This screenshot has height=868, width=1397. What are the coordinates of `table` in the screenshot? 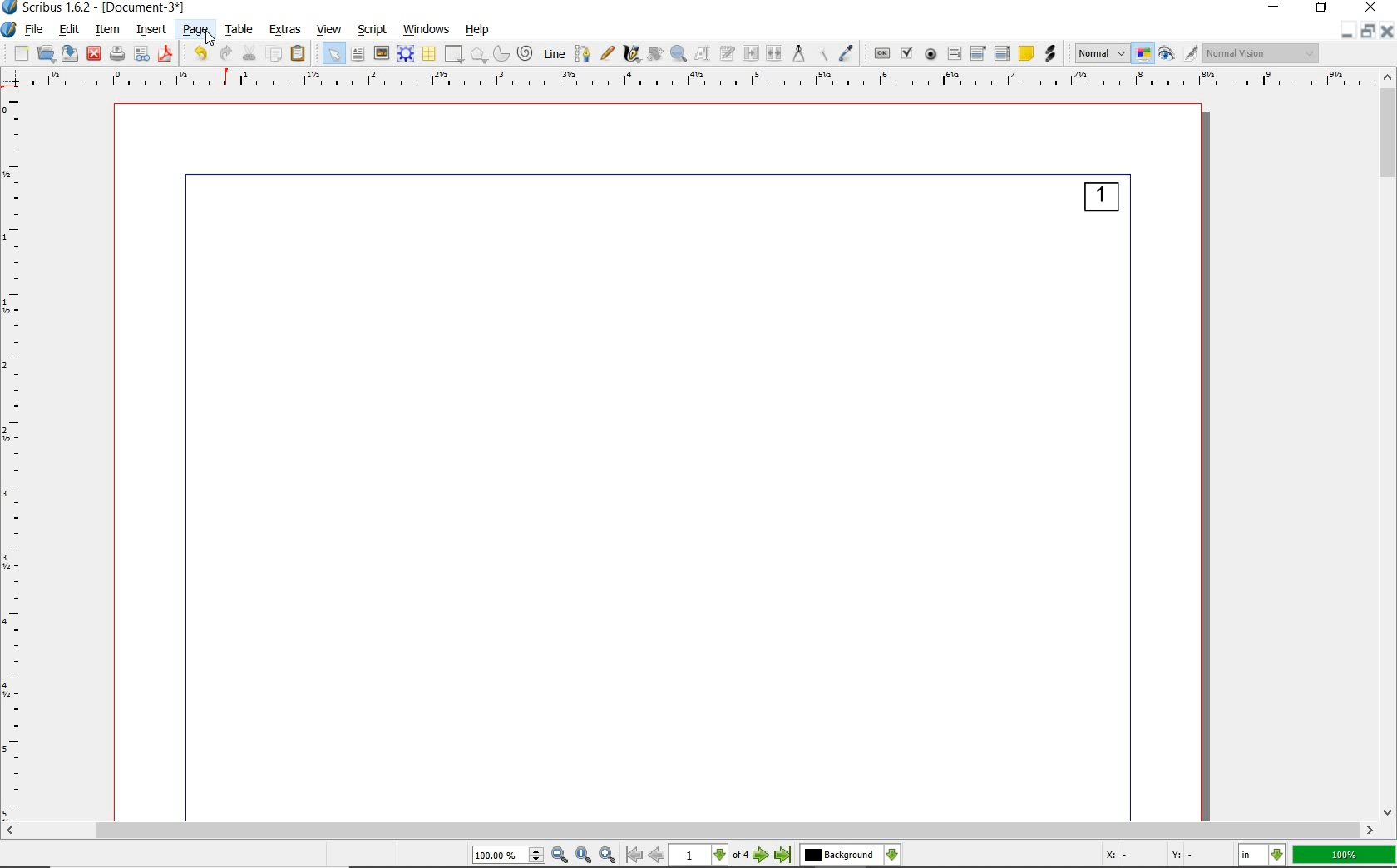 It's located at (239, 29).